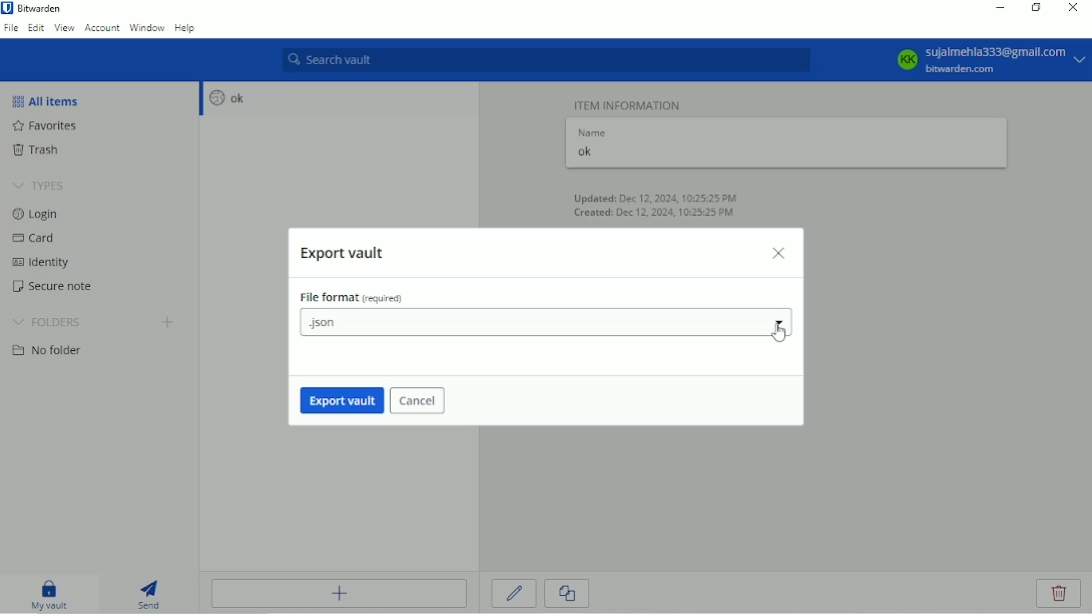 The height and width of the screenshot is (614, 1092). Describe the element at coordinates (38, 240) in the screenshot. I see `Card` at that location.